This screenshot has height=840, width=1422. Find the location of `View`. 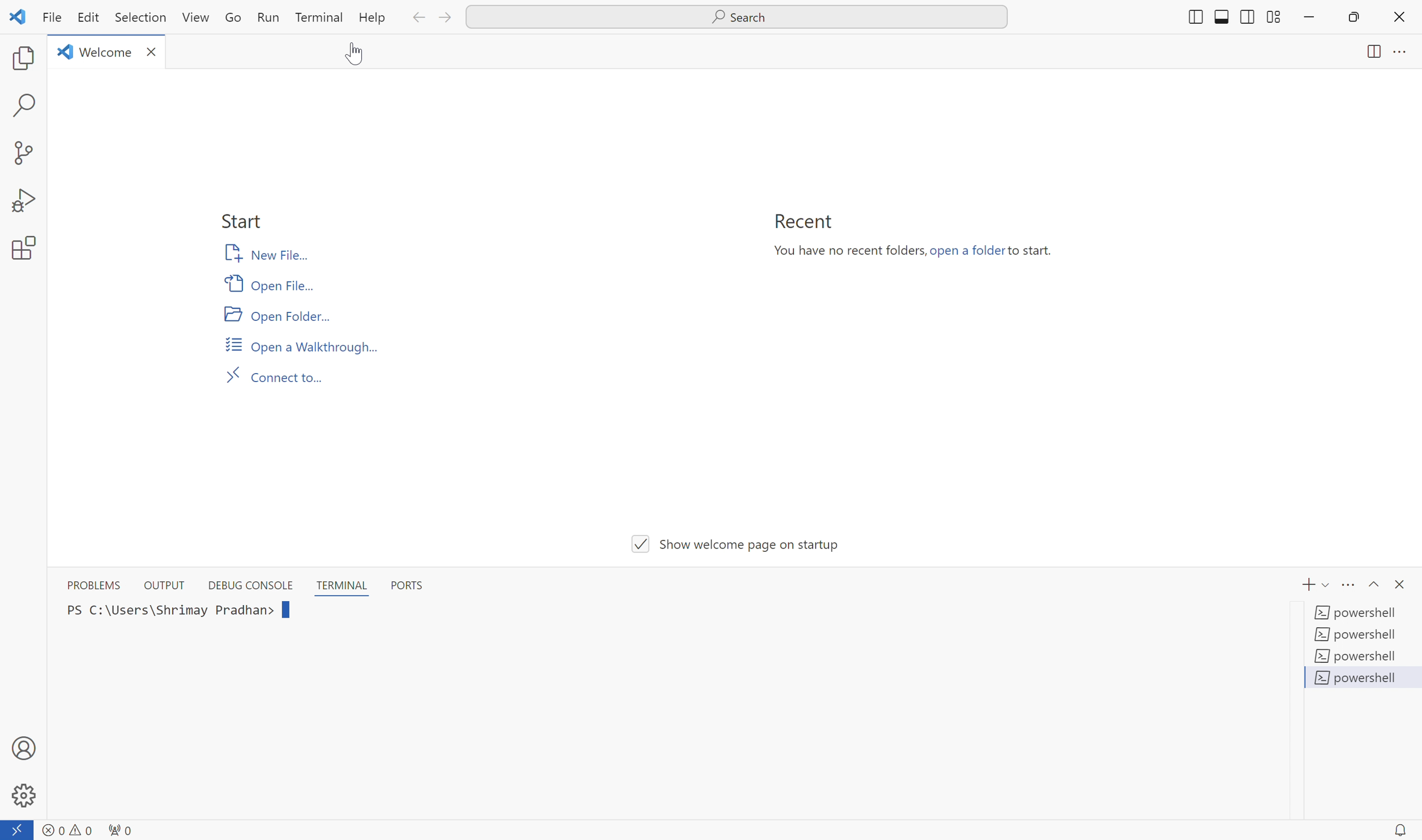

View is located at coordinates (197, 17).